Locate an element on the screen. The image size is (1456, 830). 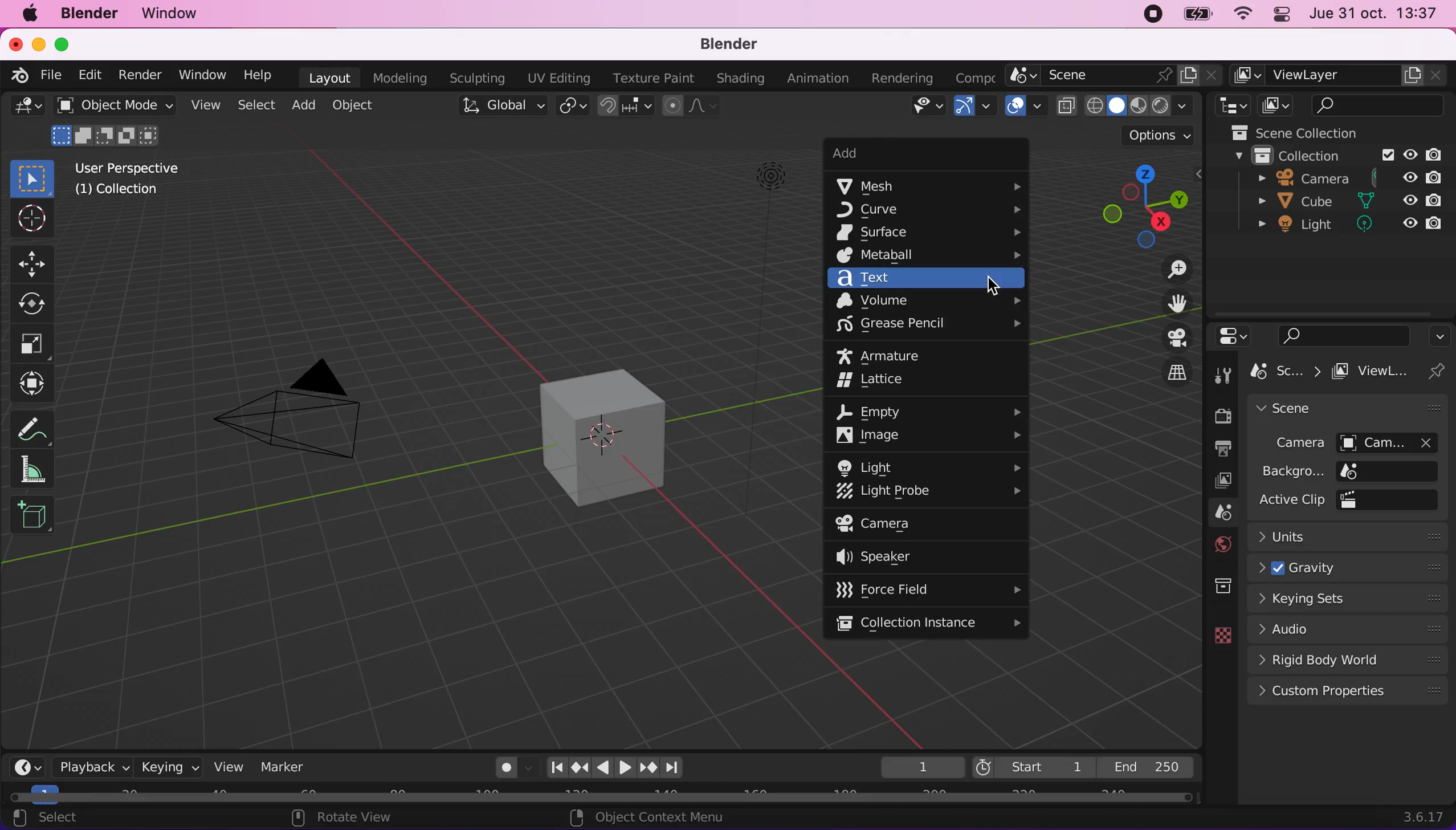
help is located at coordinates (260, 74).